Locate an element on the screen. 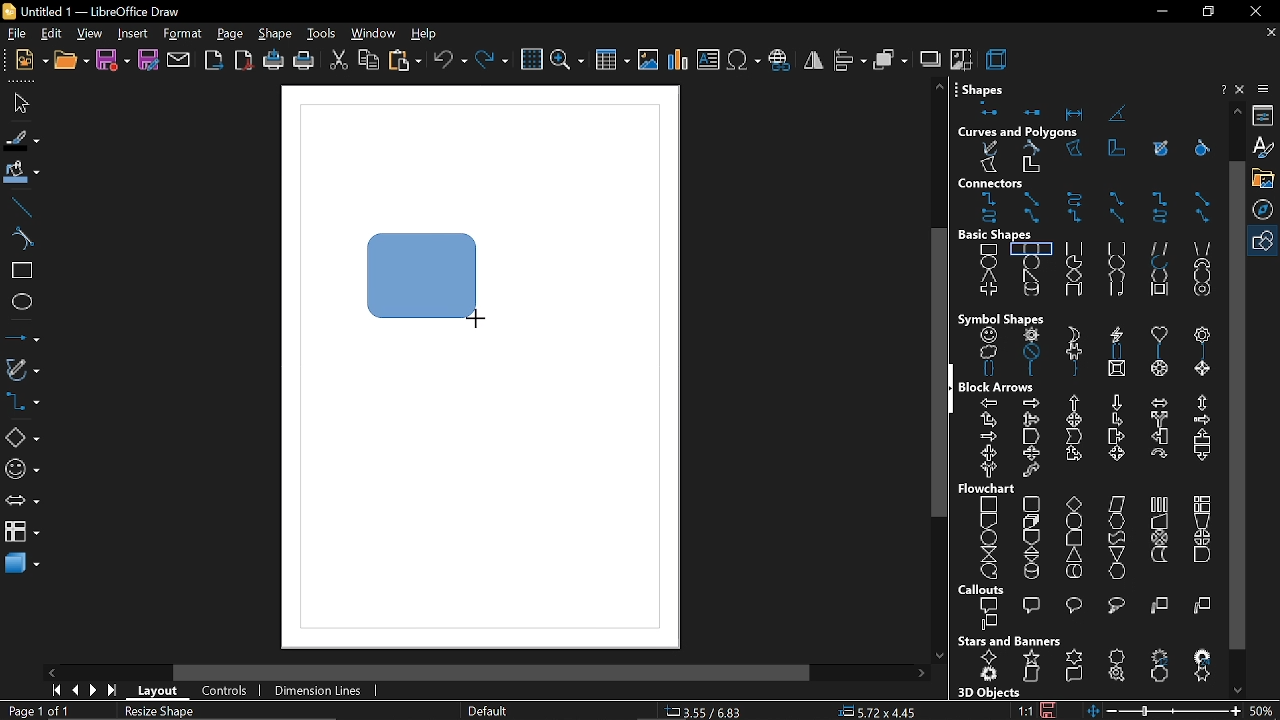  shapes is located at coordinates (987, 86).